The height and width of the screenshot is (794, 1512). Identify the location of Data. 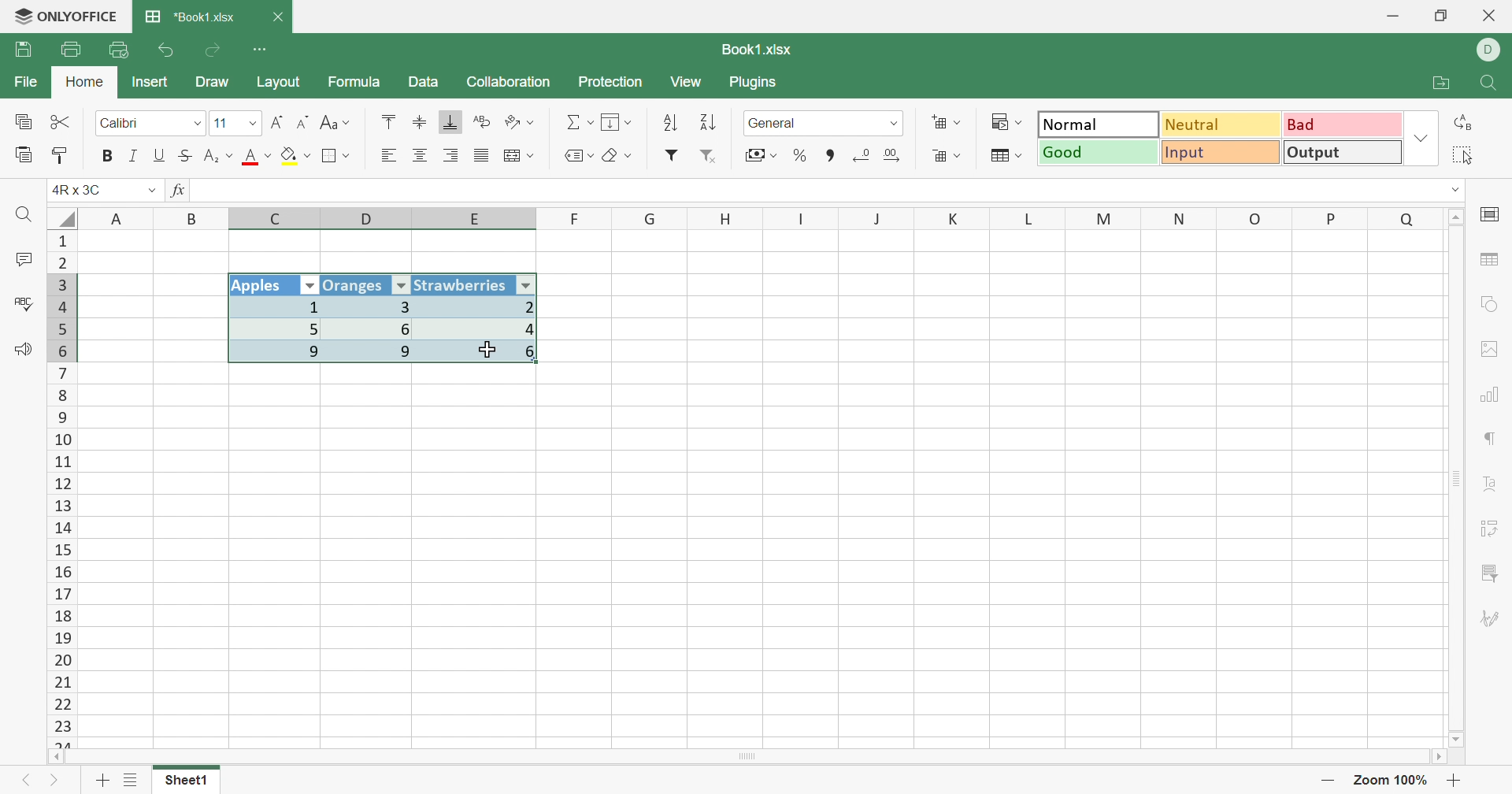
(424, 83).